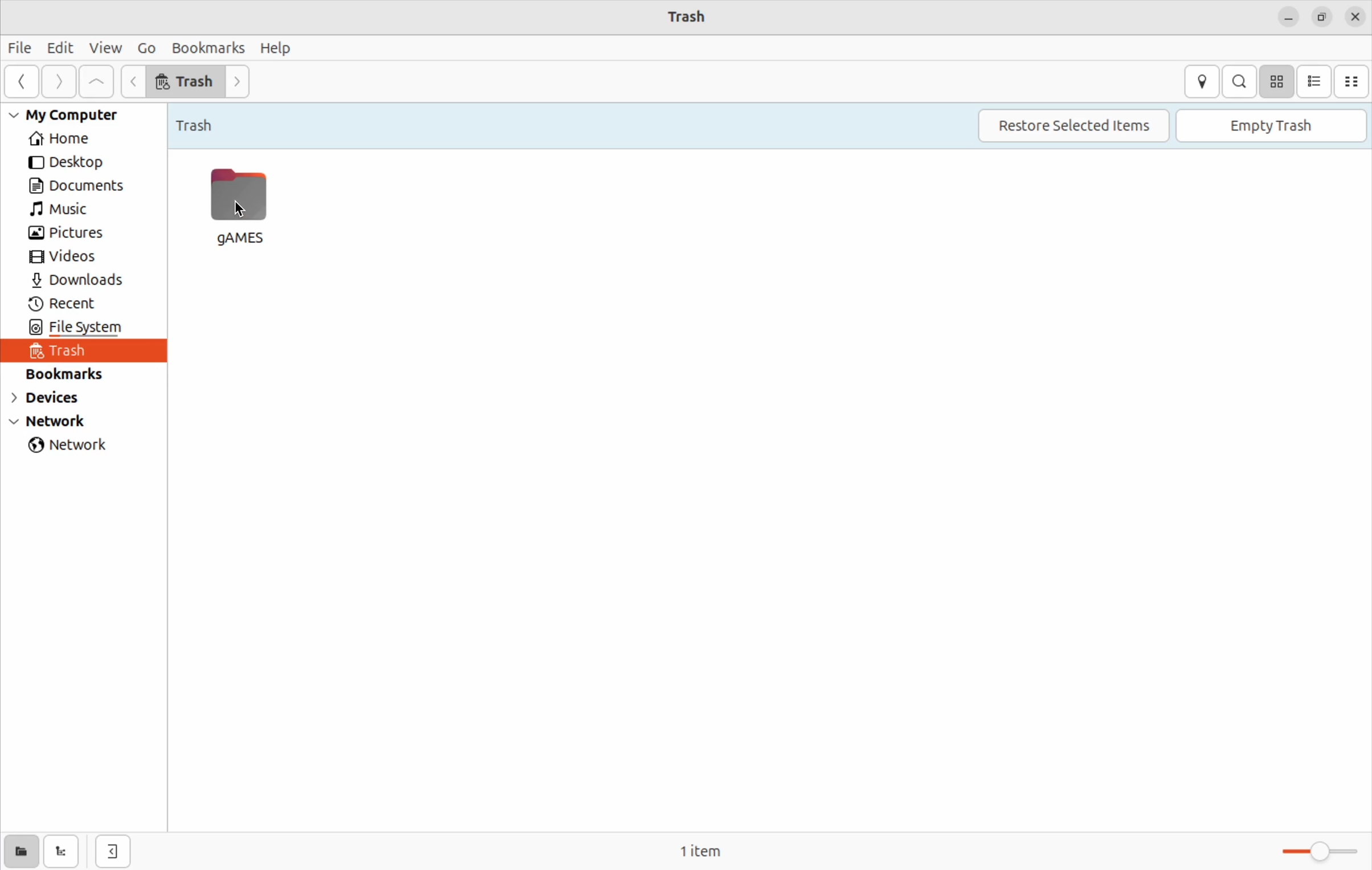  I want to click on back ward, so click(23, 83).